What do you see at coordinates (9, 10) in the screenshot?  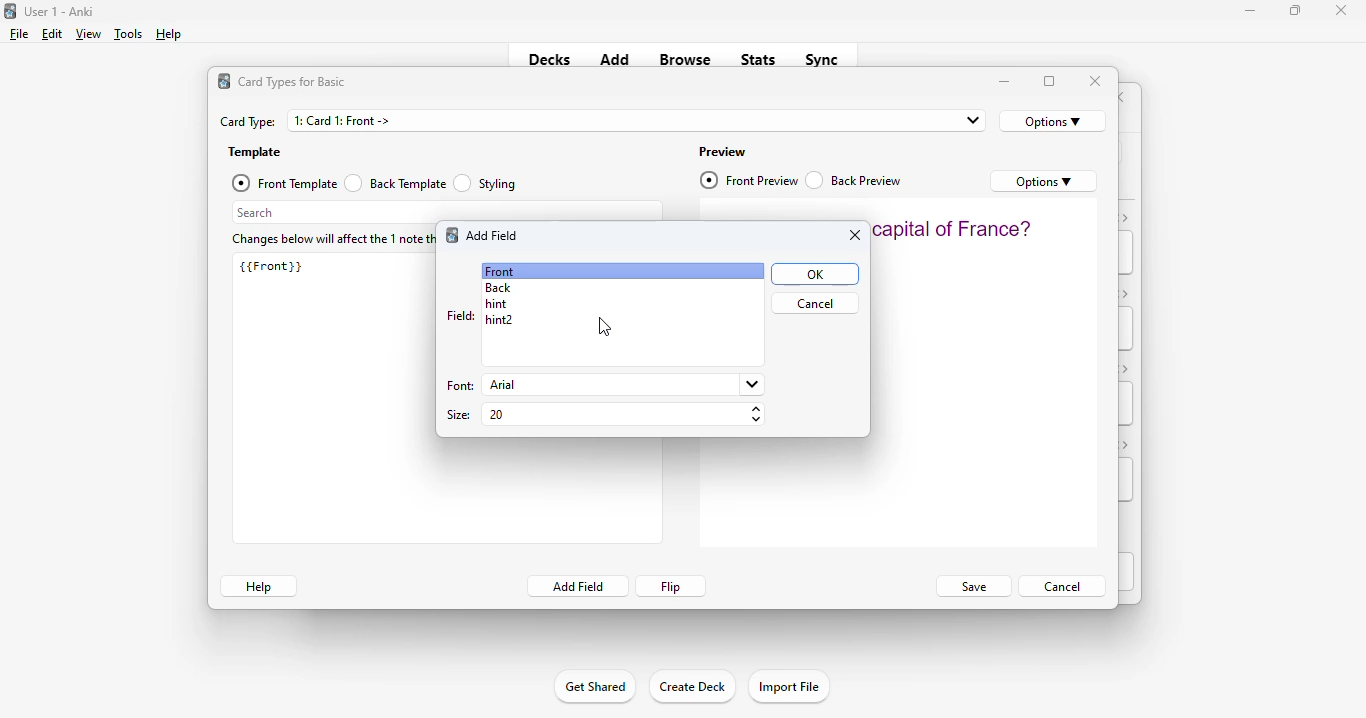 I see `logo` at bounding box center [9, 10].